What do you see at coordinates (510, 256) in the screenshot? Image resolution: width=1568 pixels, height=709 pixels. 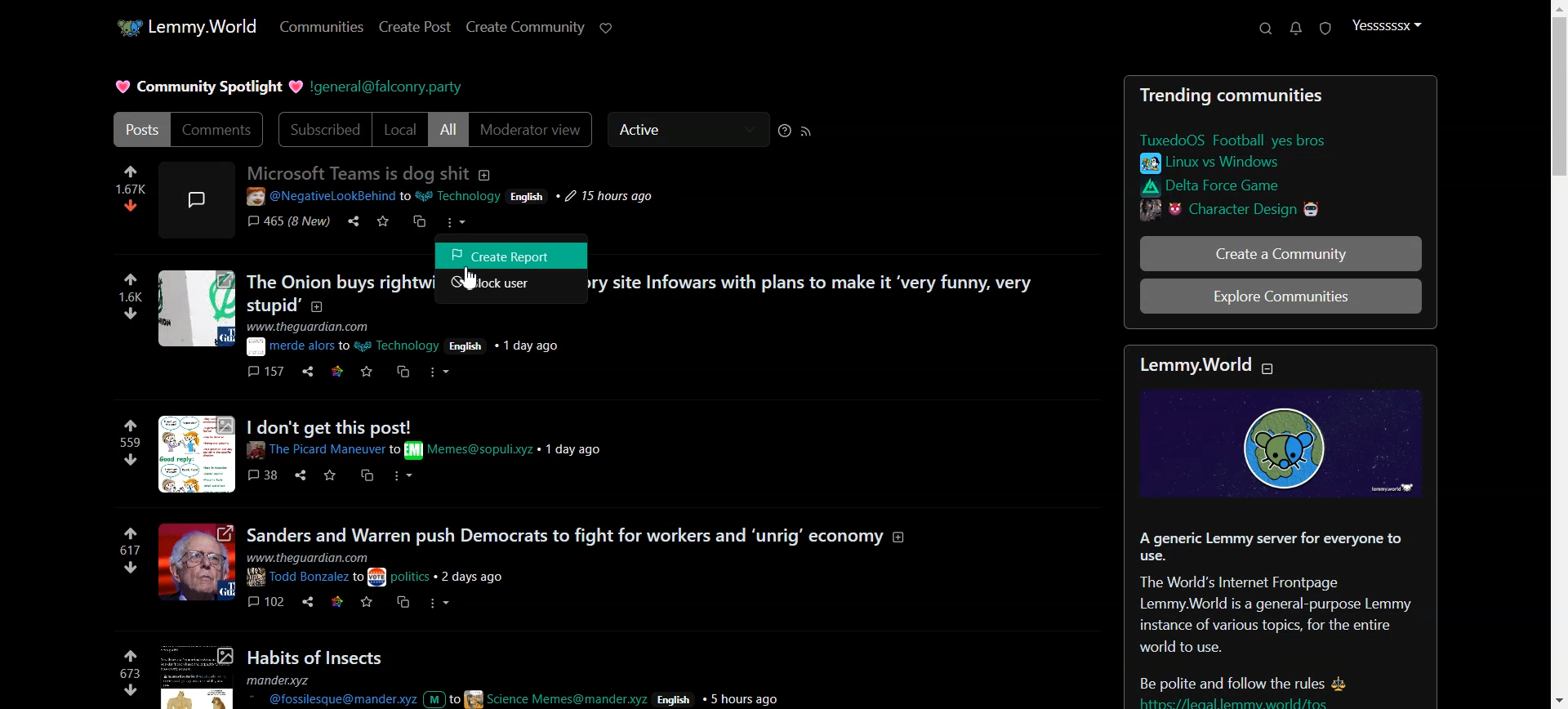 I see `Create Report` at bounding box center [510, 256].